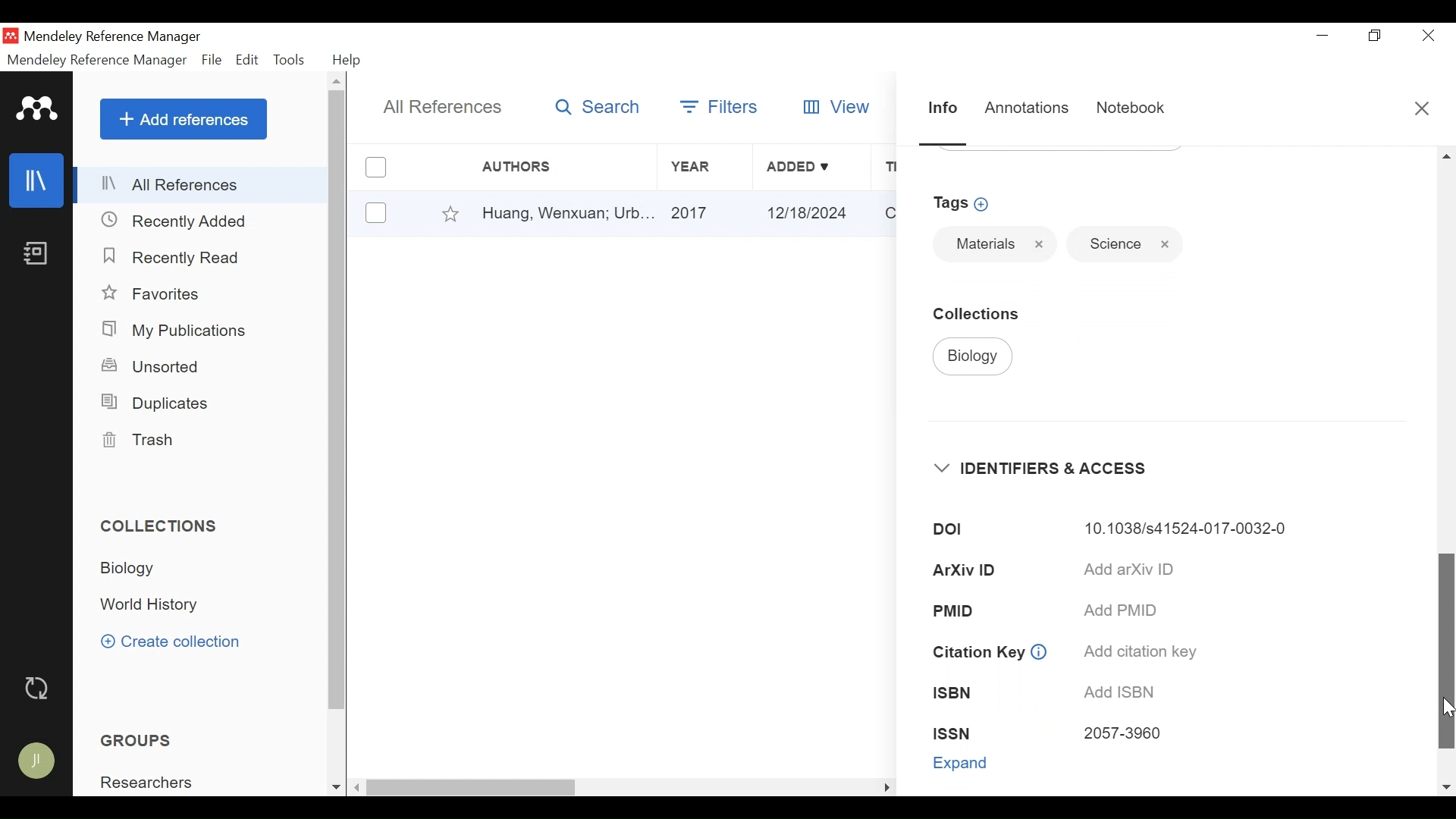 The width and height of the screenshot is (1456, 819). Describe the element at coordinates (968, 570) in the screenshot. I see `ArXiv ID` at that location.